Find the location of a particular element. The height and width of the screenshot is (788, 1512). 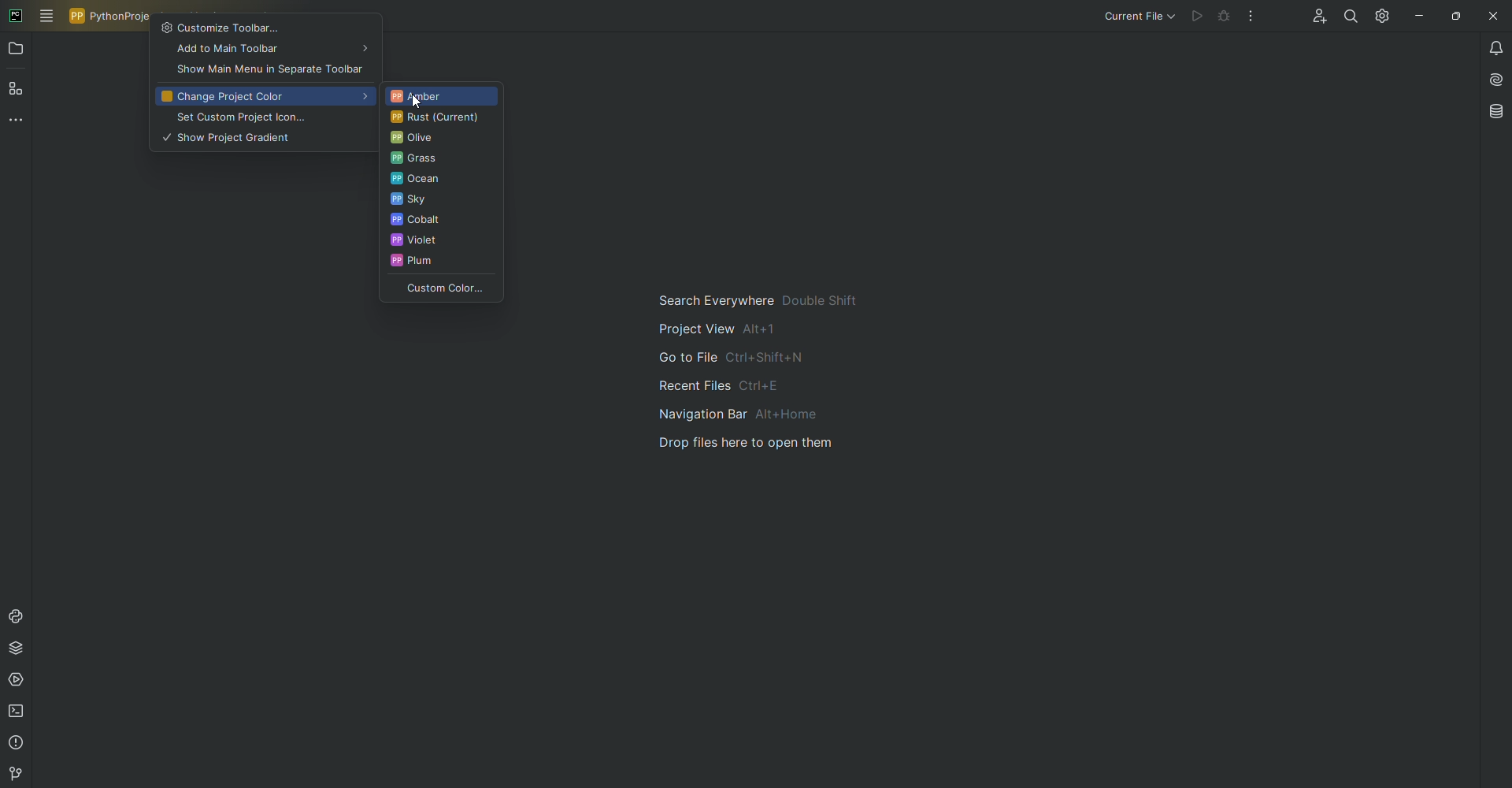

Restore is located at coordinates (1454, 15).